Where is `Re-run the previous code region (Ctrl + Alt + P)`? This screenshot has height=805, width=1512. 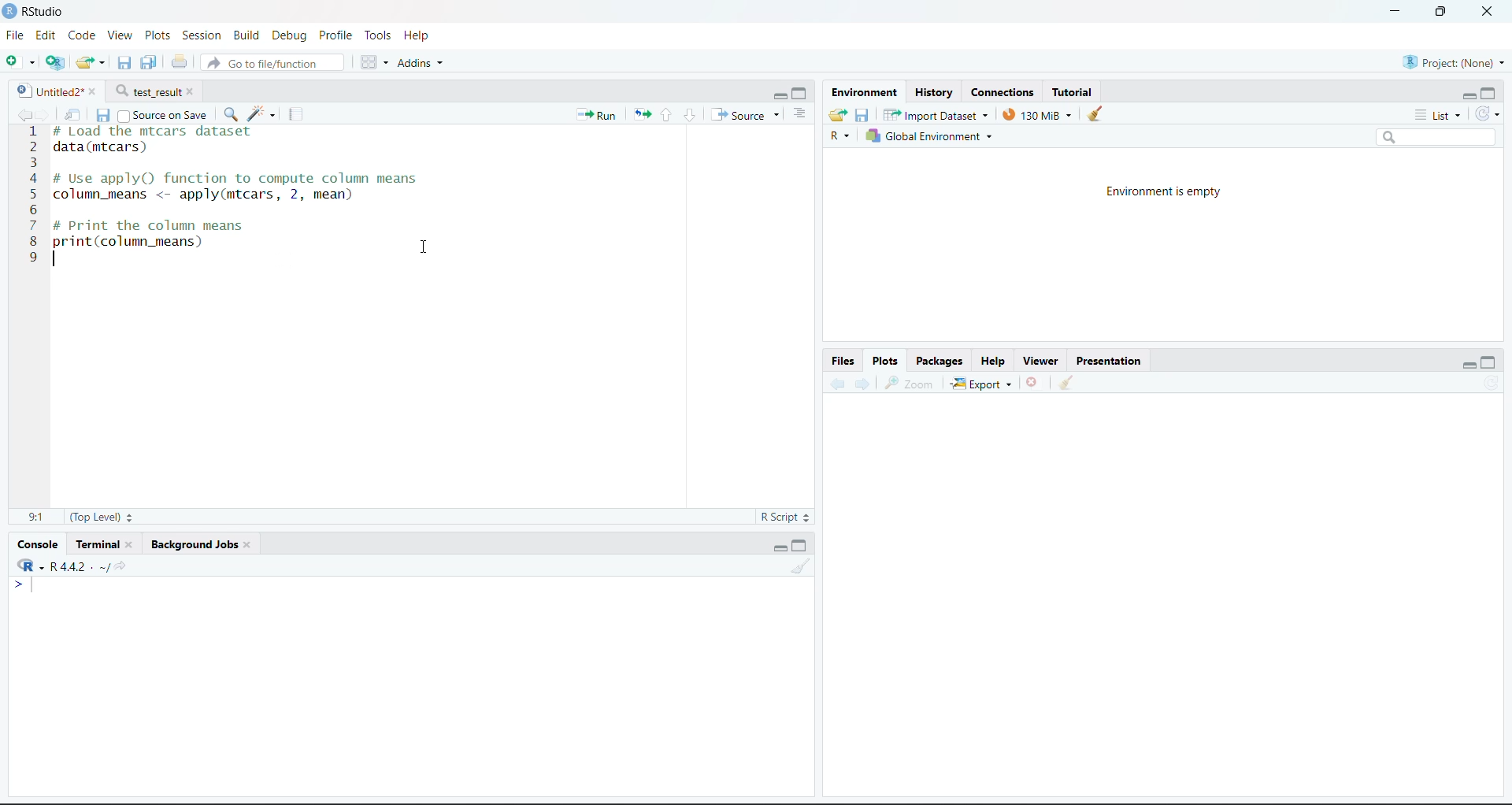 Re-run the previous code region (Ctrl + Alt + P) is located at coordinates (641, 116).